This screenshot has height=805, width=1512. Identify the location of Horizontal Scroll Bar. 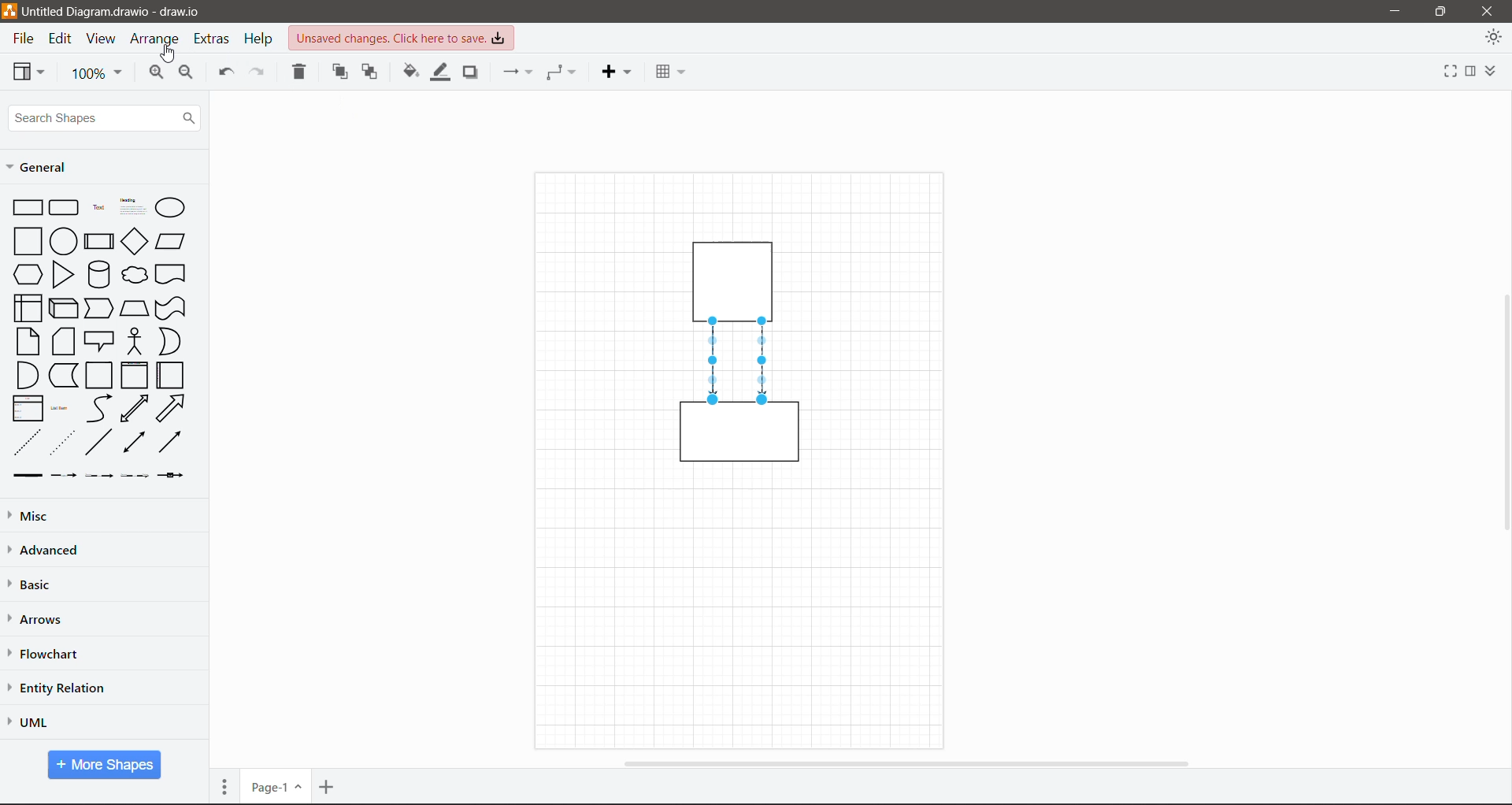
(904, 762).